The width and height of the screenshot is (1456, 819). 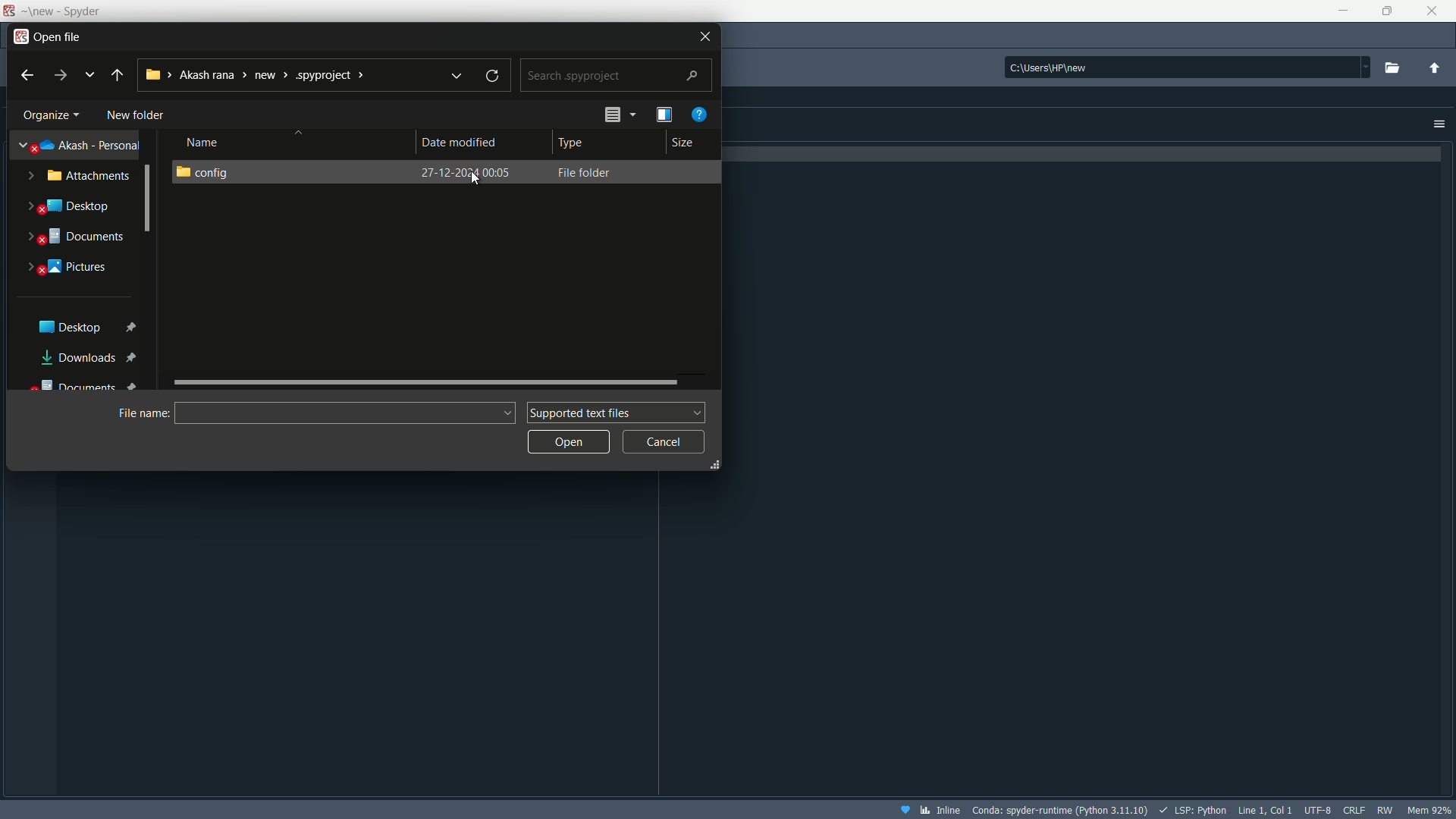 What do you see at coordinates (615, 75) in the screenshot?
I see `search bar` at bounding box center [615, 75].